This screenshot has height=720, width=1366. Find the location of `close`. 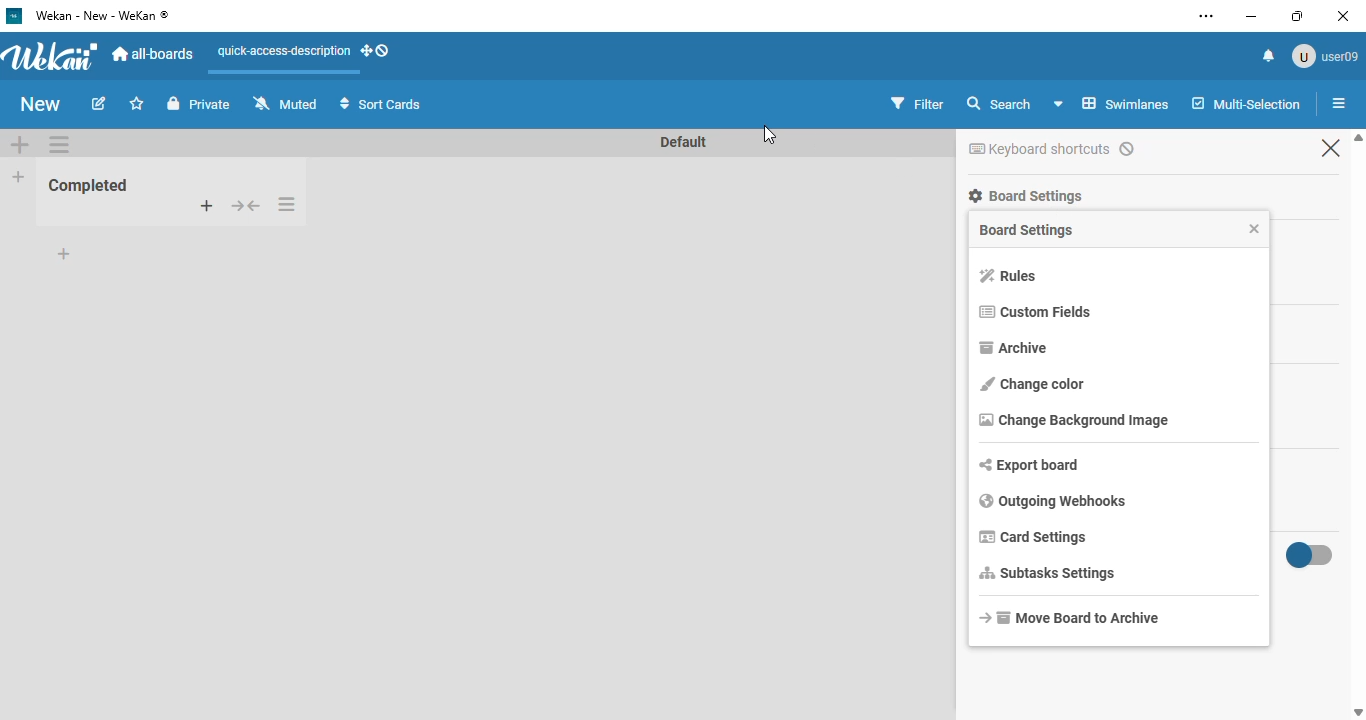

close is located at coordinates (1330, 149).